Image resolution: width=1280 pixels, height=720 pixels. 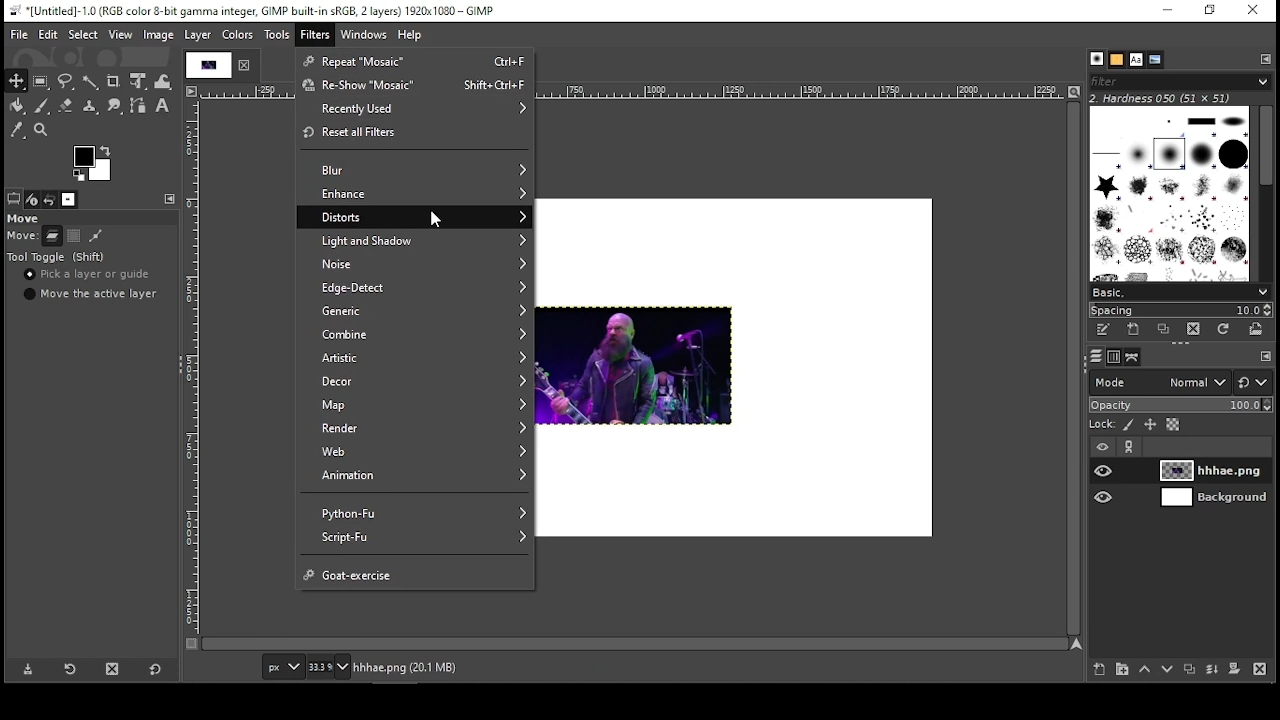 What do you see at coordinates (1158, 384) in the screenshot?
I see `mode` at bounding box center [1158, 384].